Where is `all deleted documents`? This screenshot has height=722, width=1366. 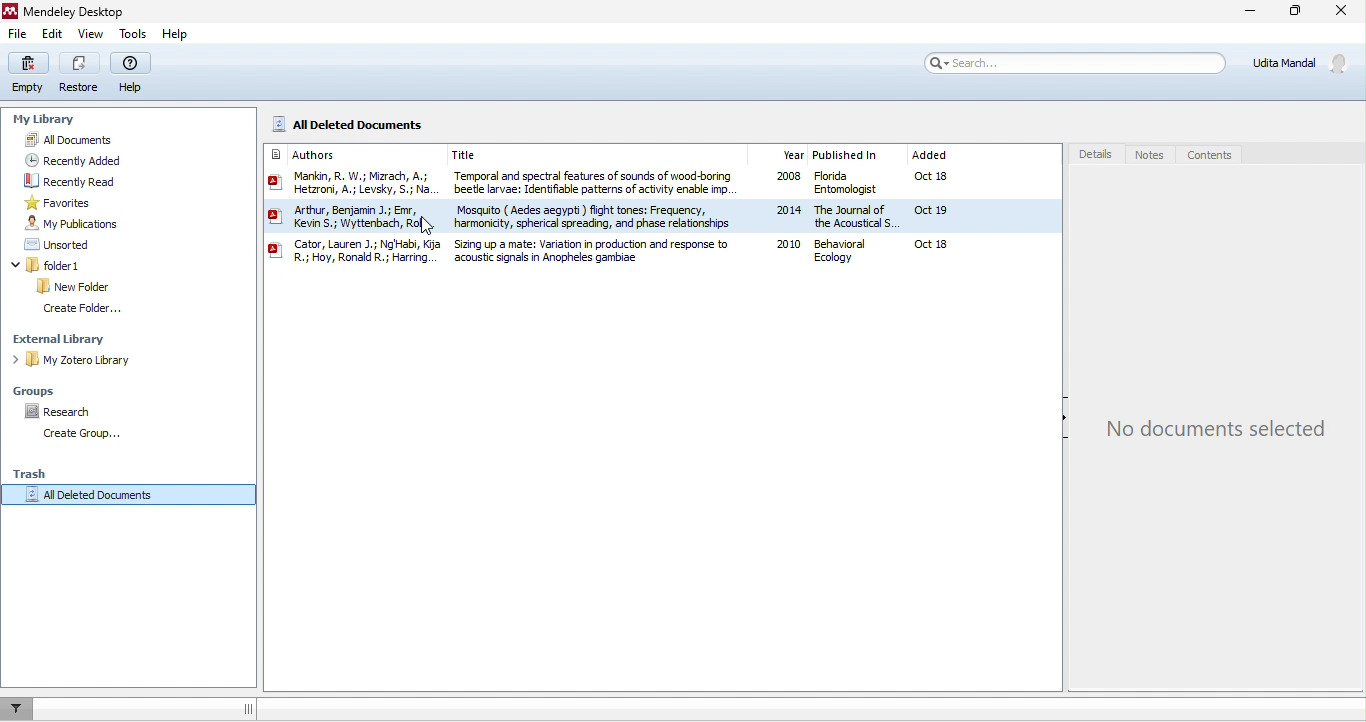
all deleted documents is located at coordinates (357, 124).